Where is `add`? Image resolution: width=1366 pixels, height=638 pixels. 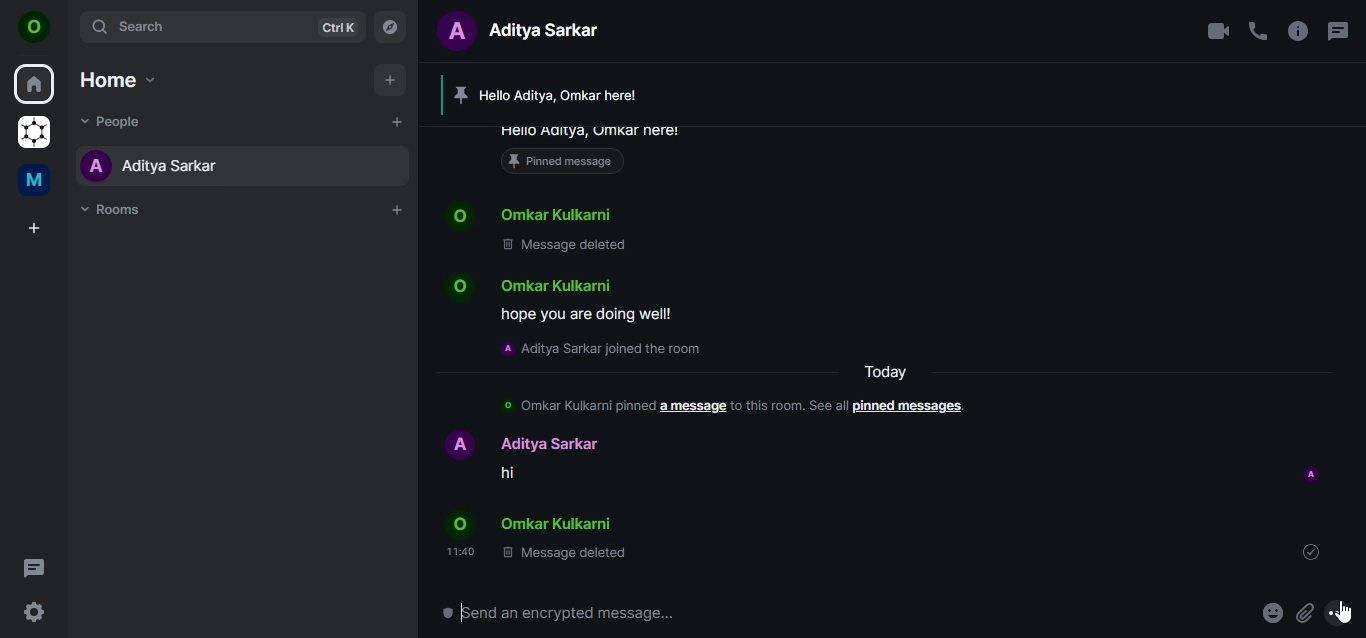
add is located at coordinates (396, 121).